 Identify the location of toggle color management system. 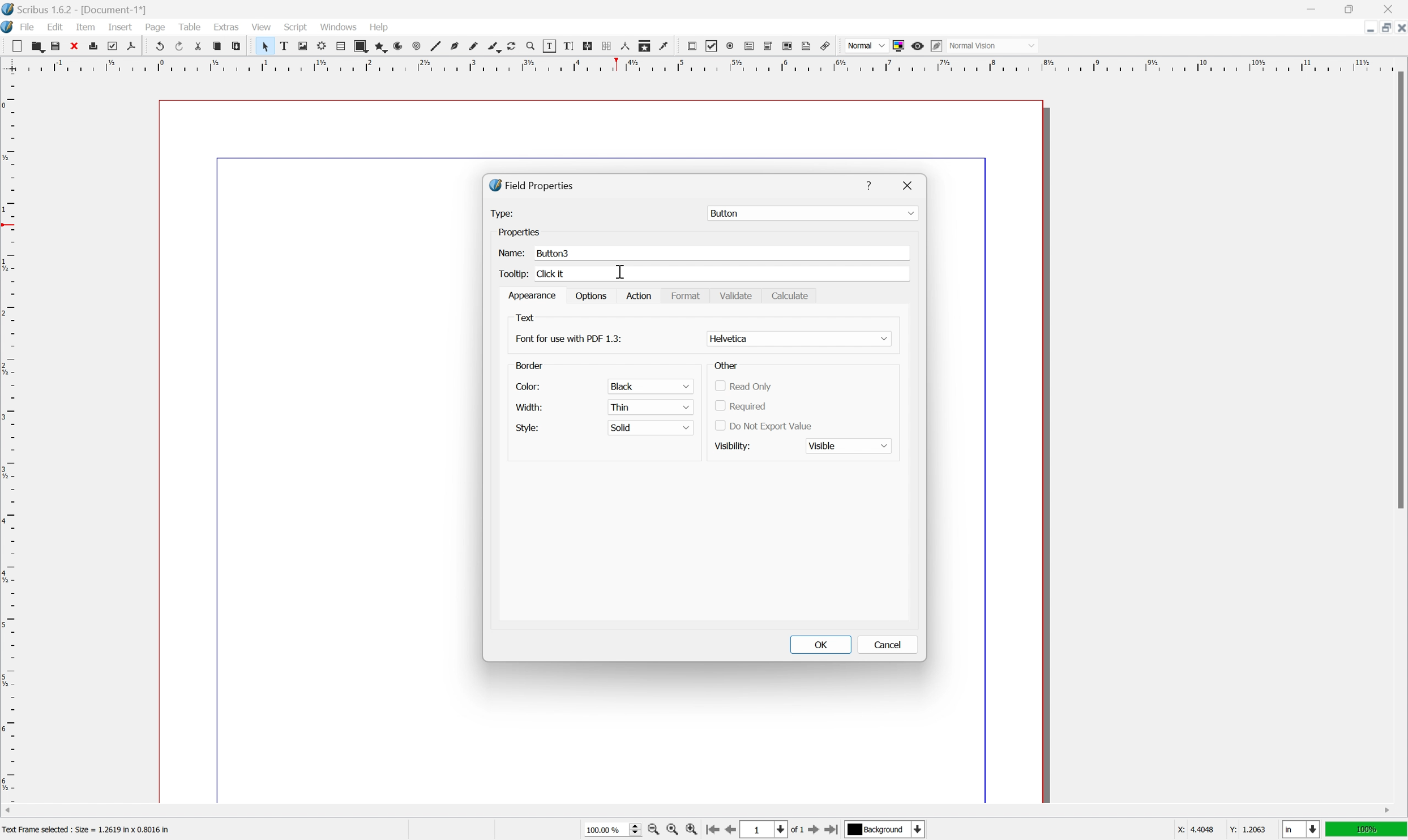
(898, 45).